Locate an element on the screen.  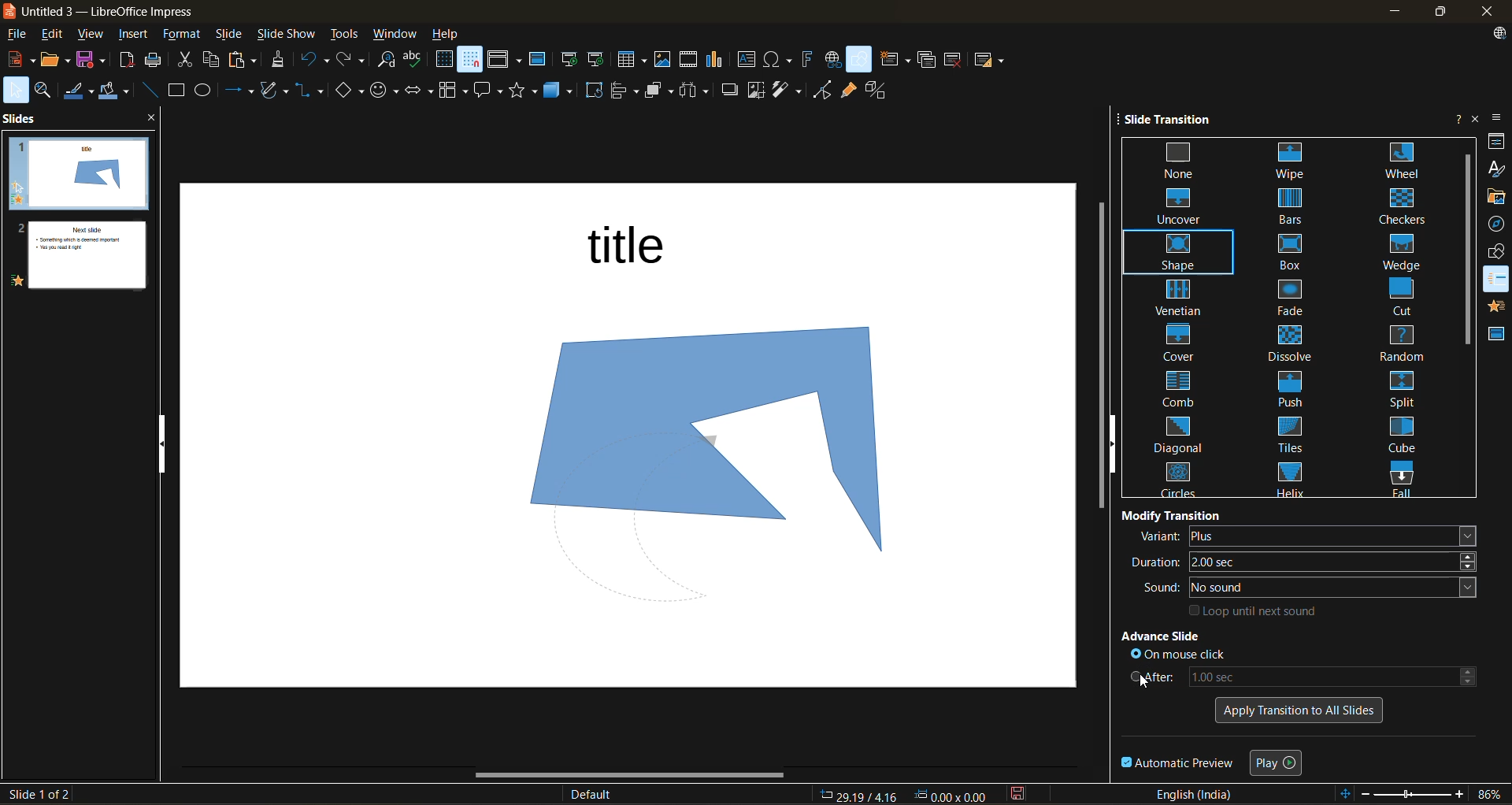
insert special characters is located at coordinates (780, 61).